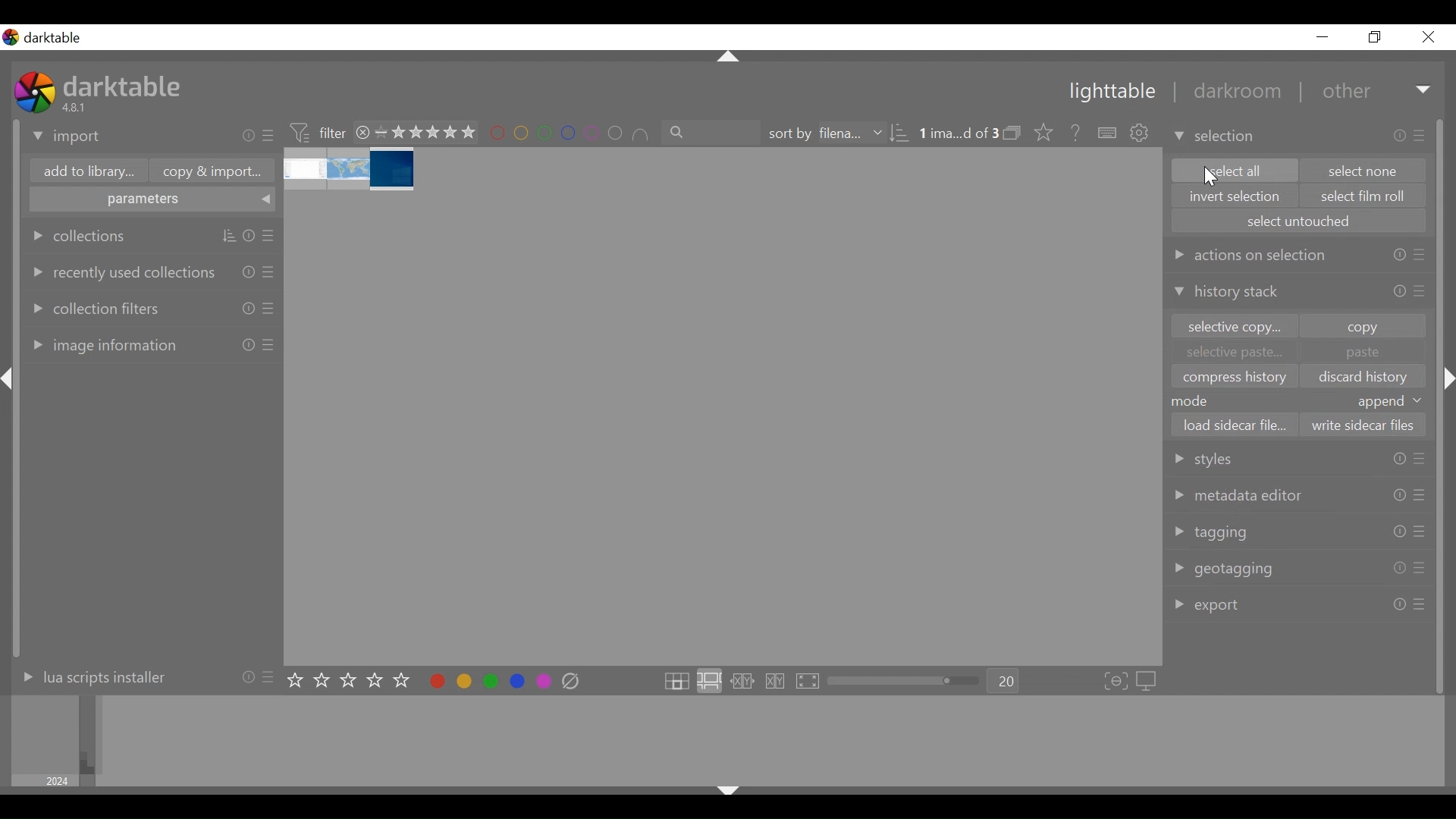 This screenshot has height=819, width=1456. I want to click on show global preferences, so click(1141, 134).